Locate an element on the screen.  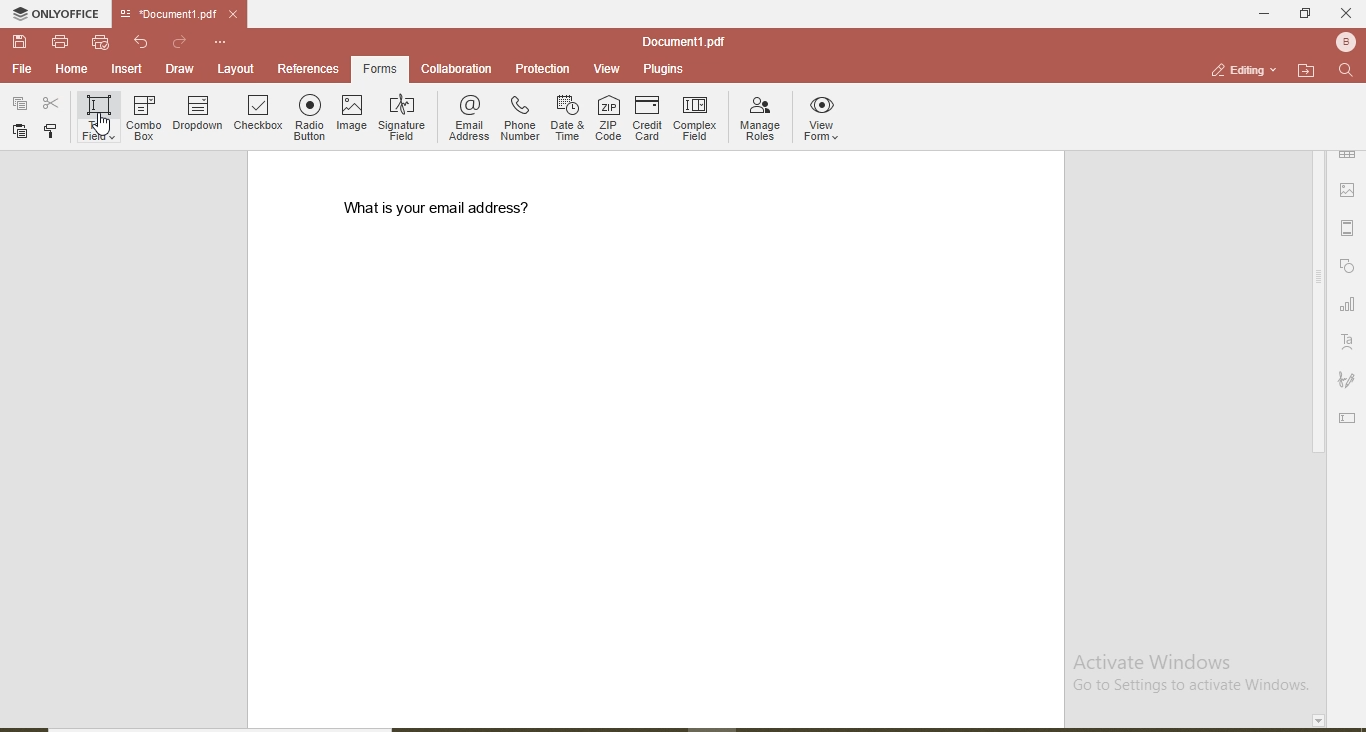
close is located at coordinates (1346, 13).